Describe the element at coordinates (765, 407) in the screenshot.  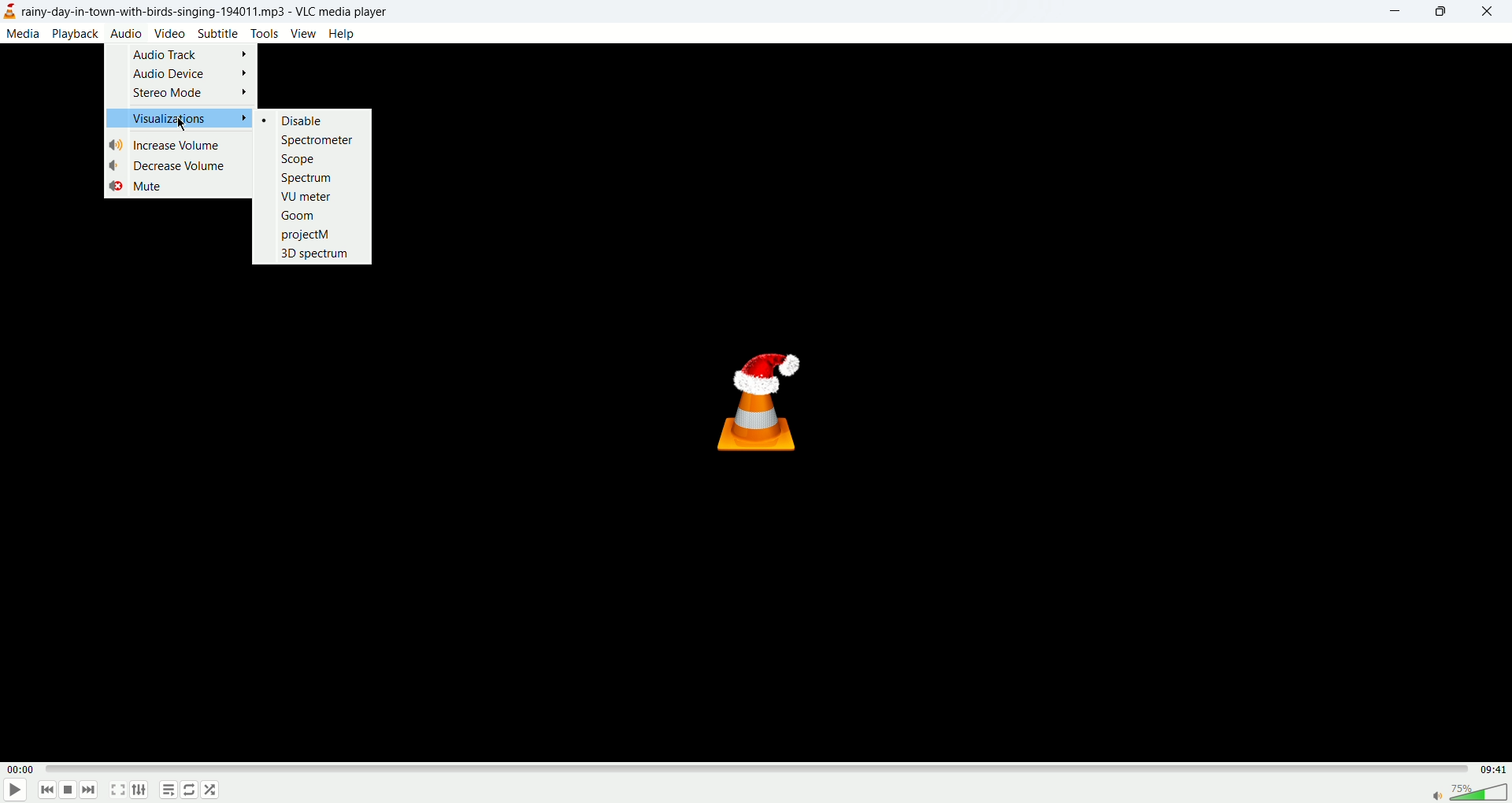
I see `vlc logo` at that location.